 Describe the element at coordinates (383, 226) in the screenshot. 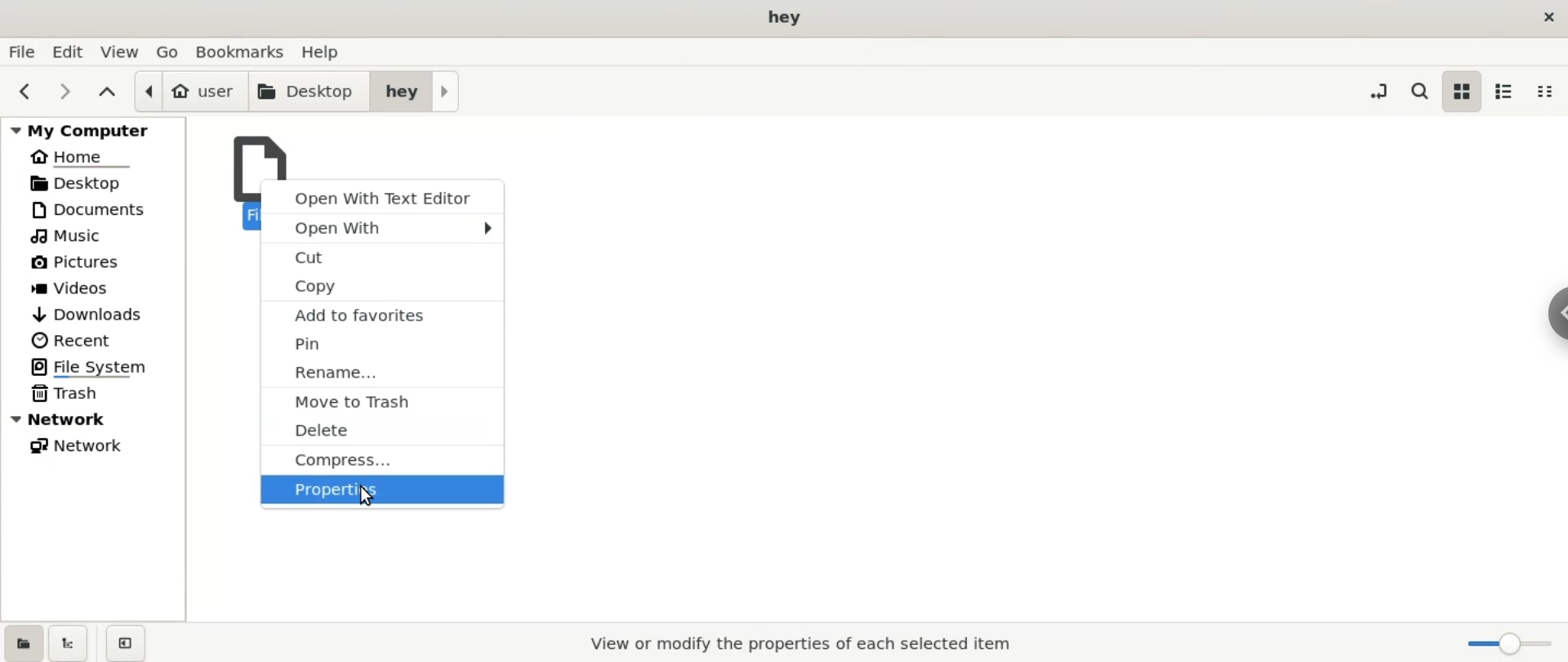

I see `open with` at that location.